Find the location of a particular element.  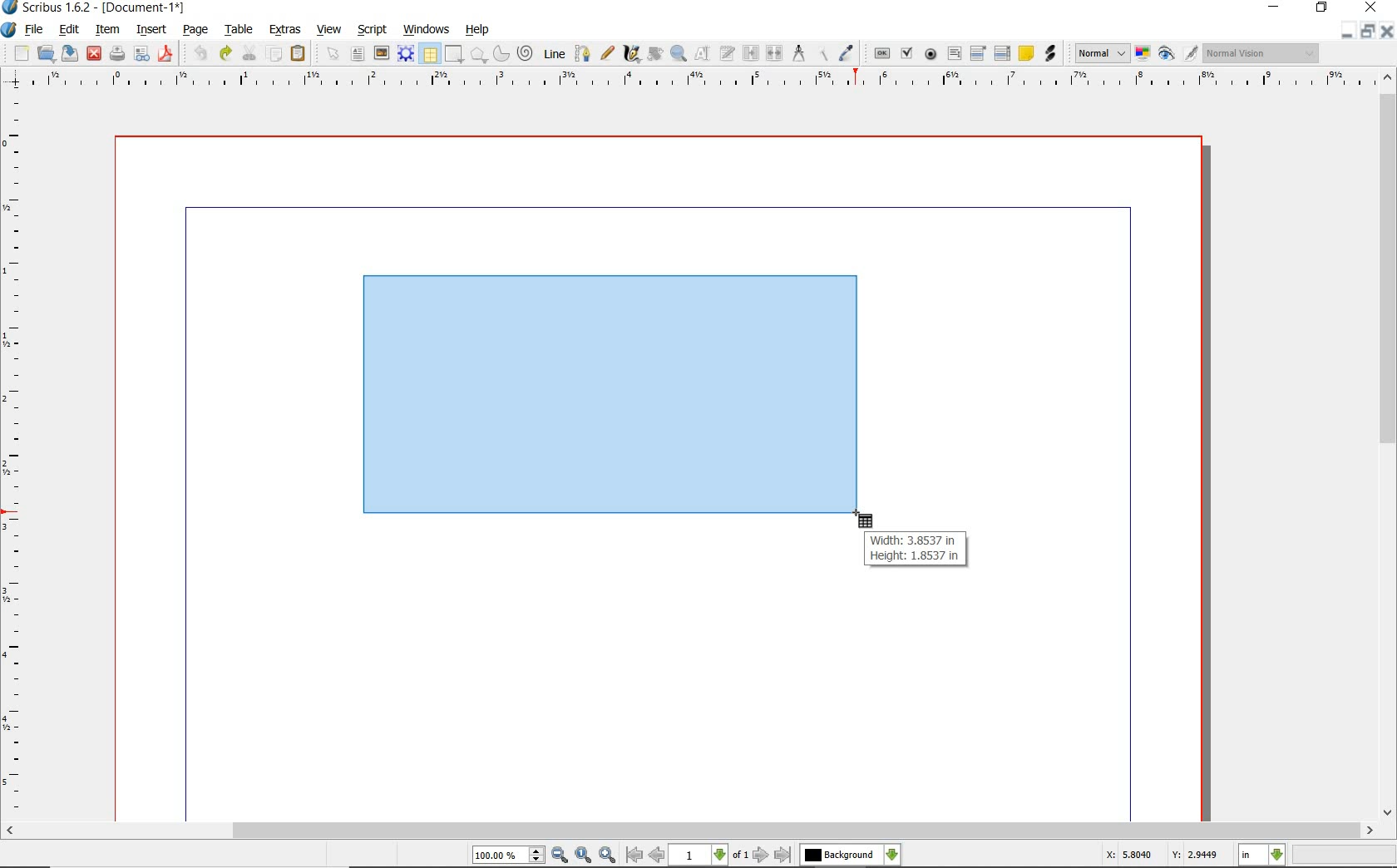

edit contents of frame is located at coordinates (703, 54).